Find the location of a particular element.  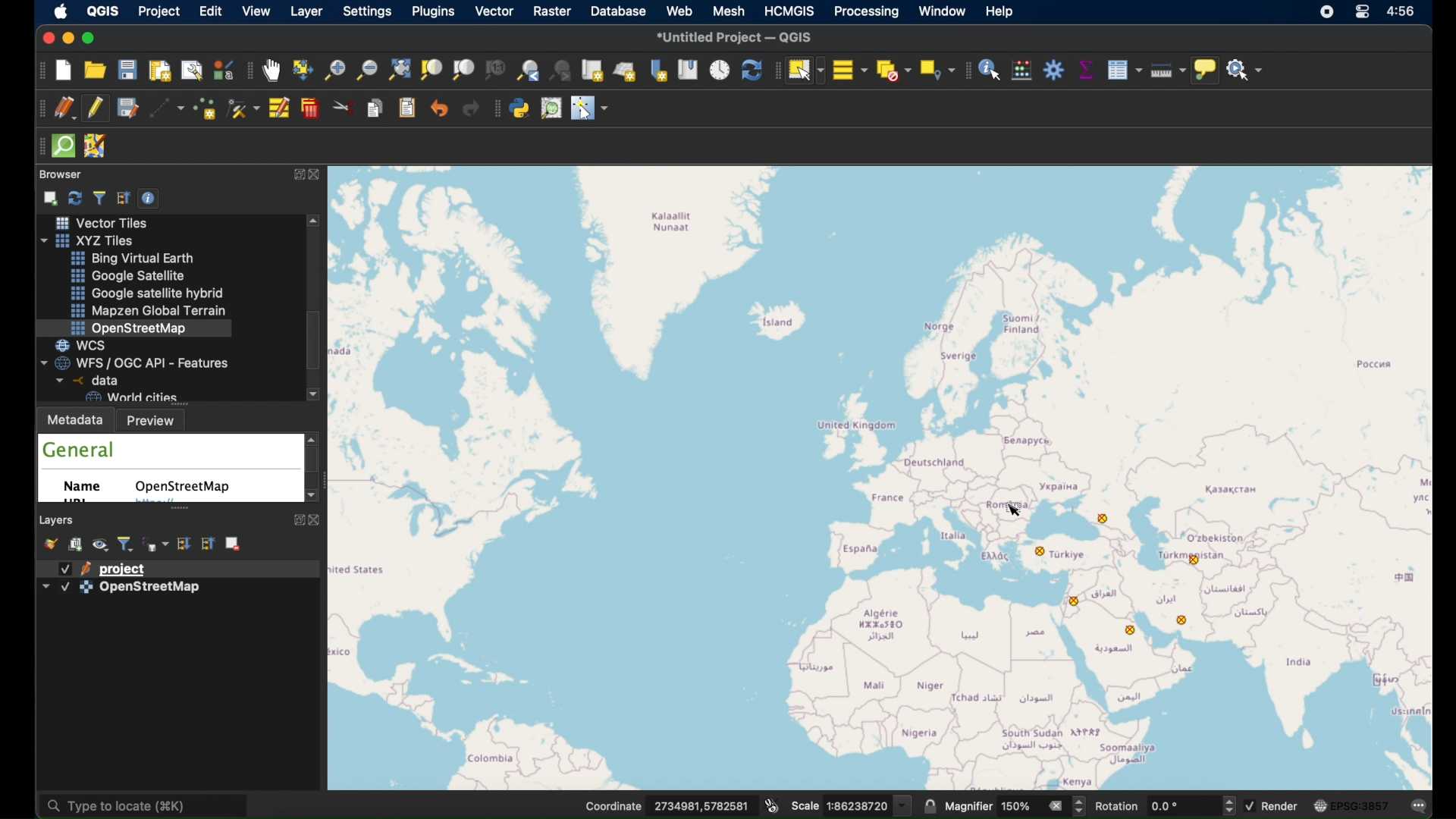

google satellite is located at coordinates (128, 276).